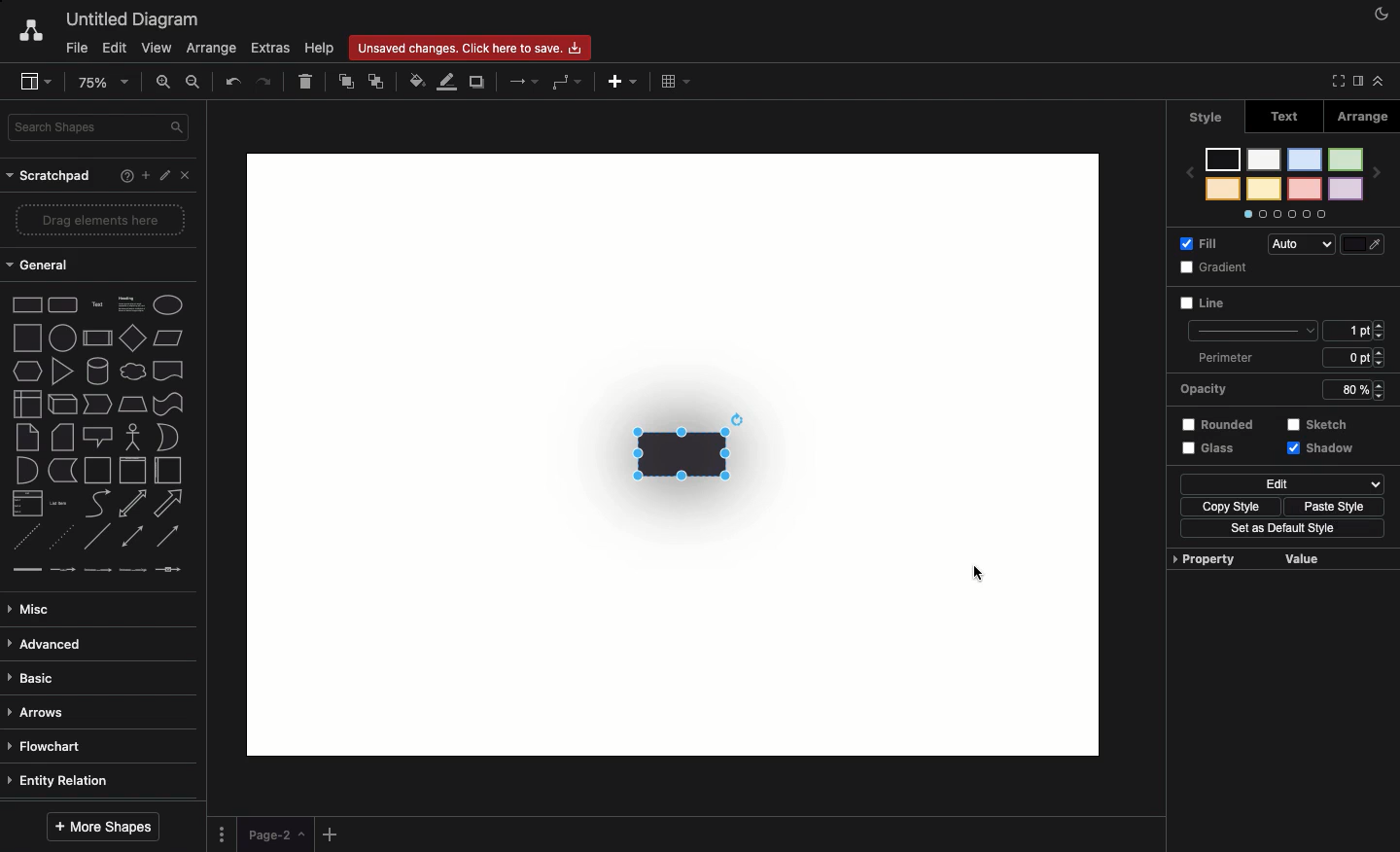  Describe the element at coordinates (1210, 269) in the screenshot. I see `Gradient` at that location.